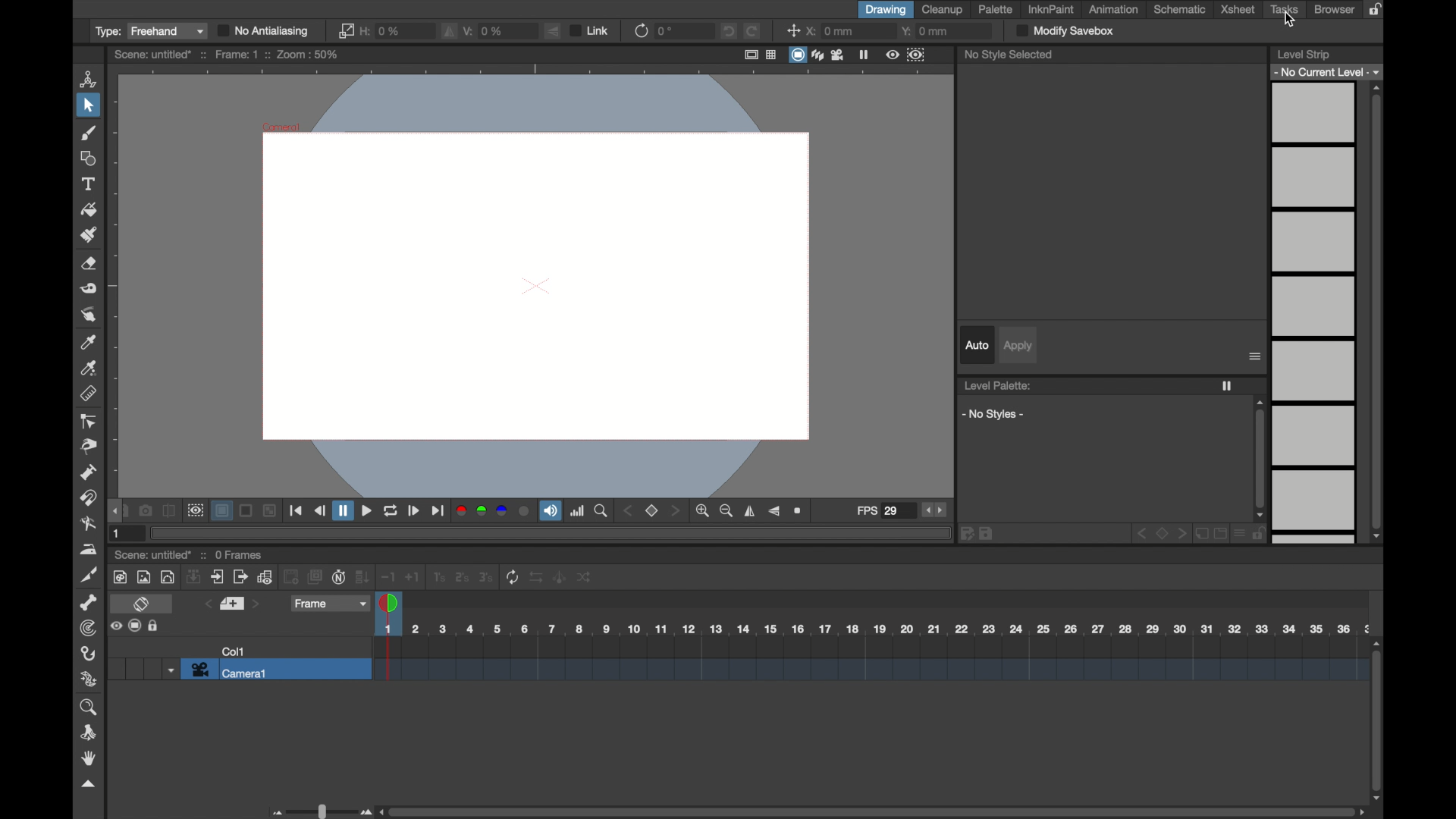  Describe the element at coordinates (391, 510) in the screenshot. I see `loop` at that location.